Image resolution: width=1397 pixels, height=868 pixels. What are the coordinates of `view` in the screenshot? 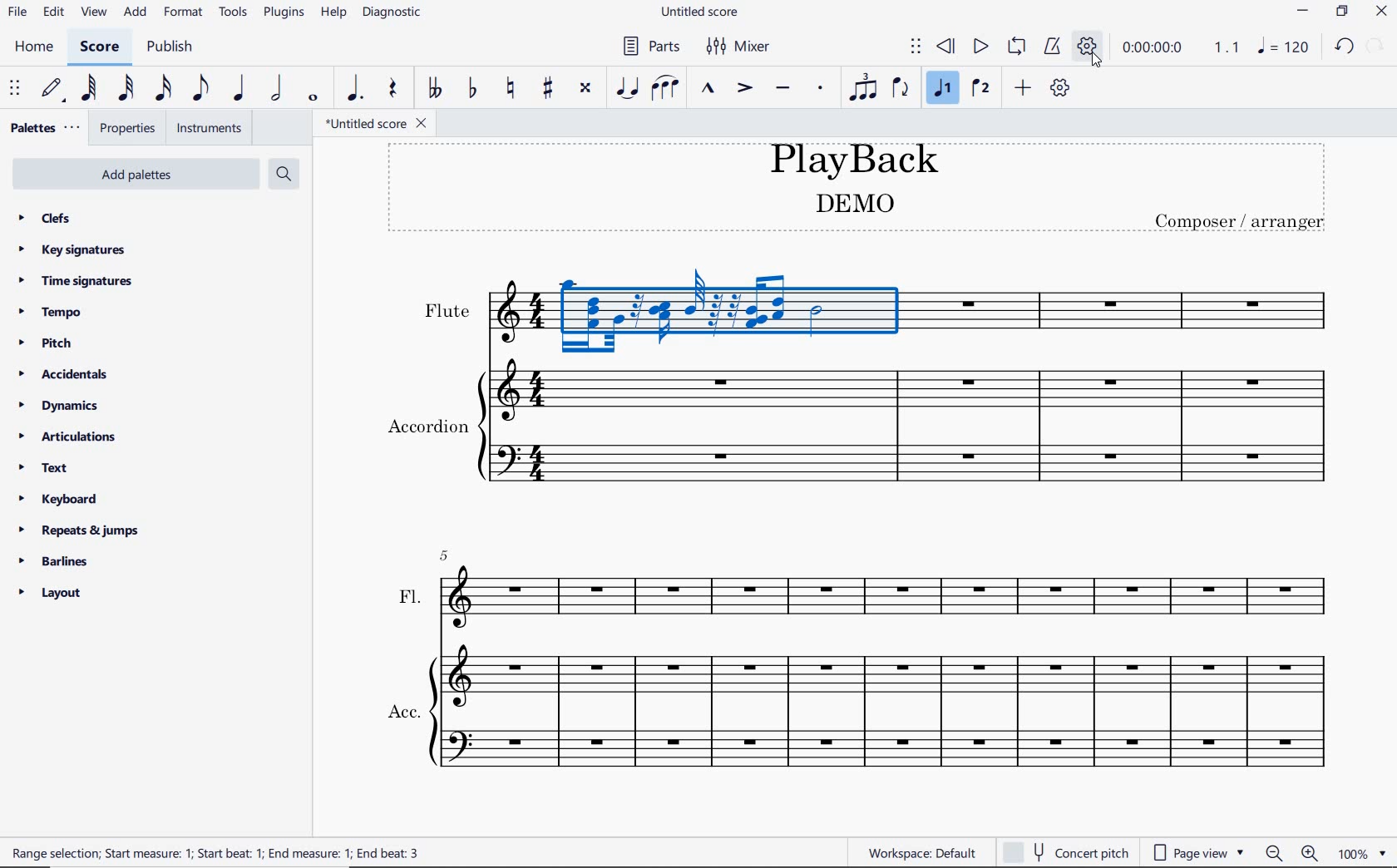 It's located at (93, 12).